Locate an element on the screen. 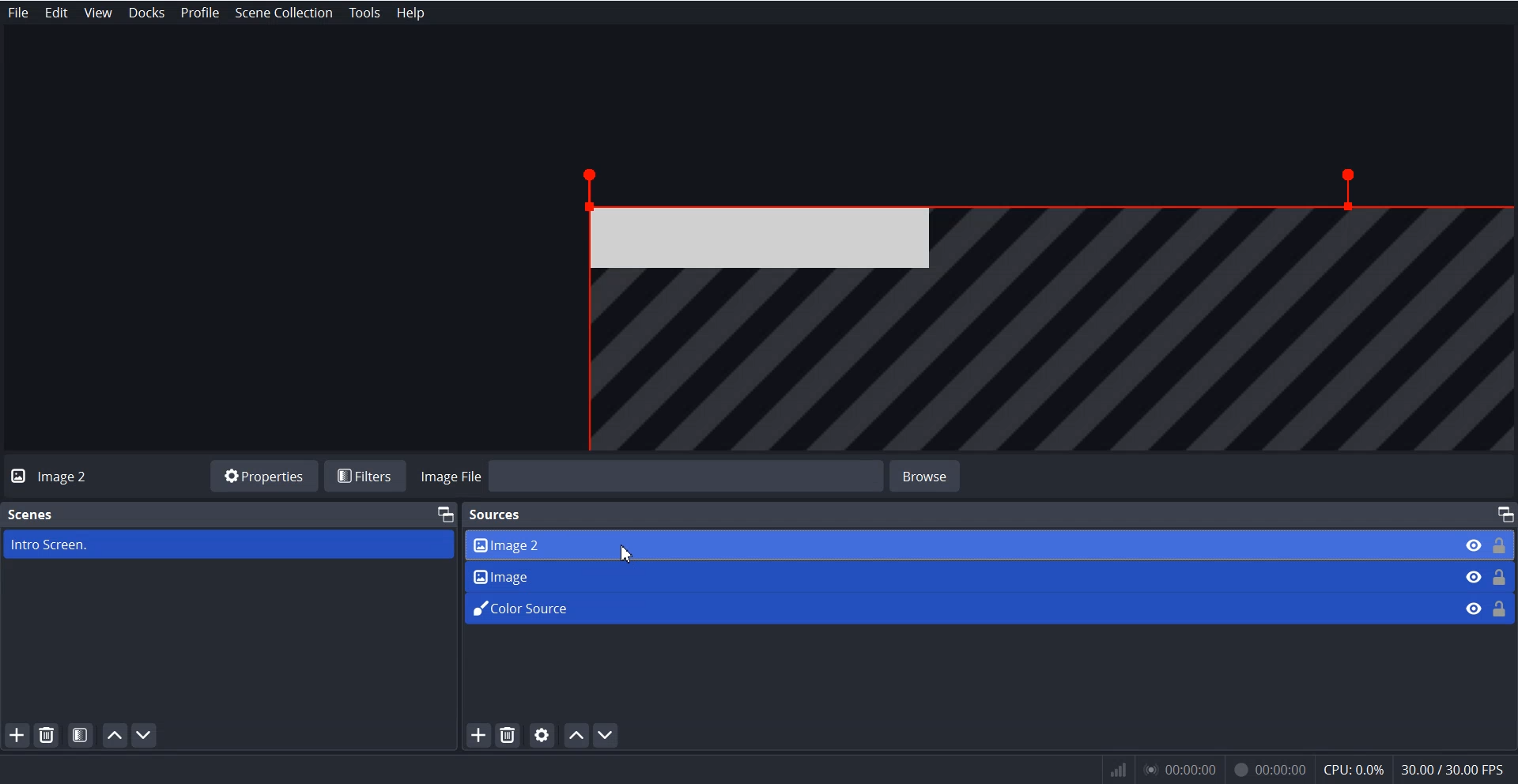  Remove Selected Source is located at coordinates (508, 736).